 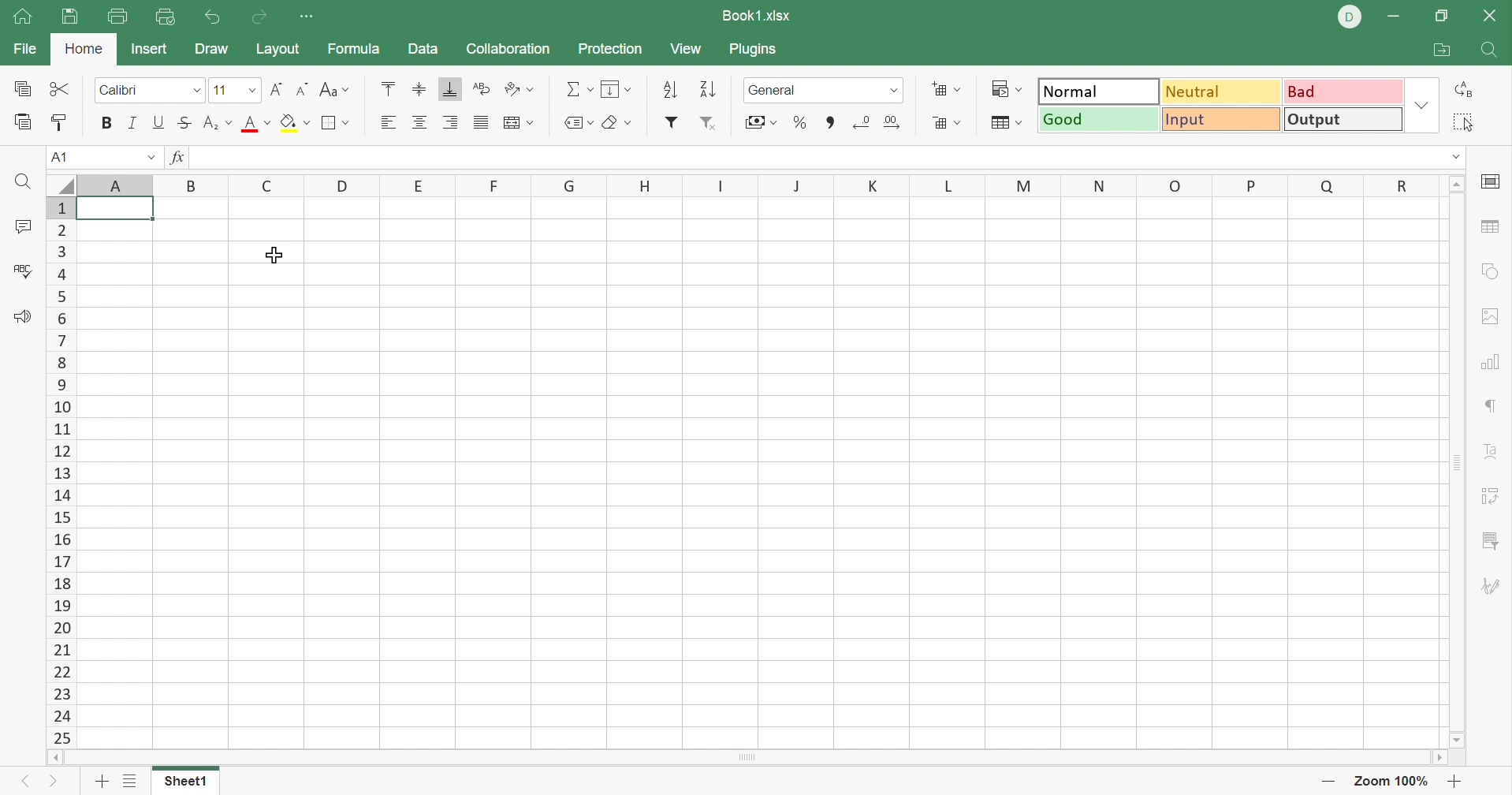 I want to click on Comment, so click(x=23, y=227).